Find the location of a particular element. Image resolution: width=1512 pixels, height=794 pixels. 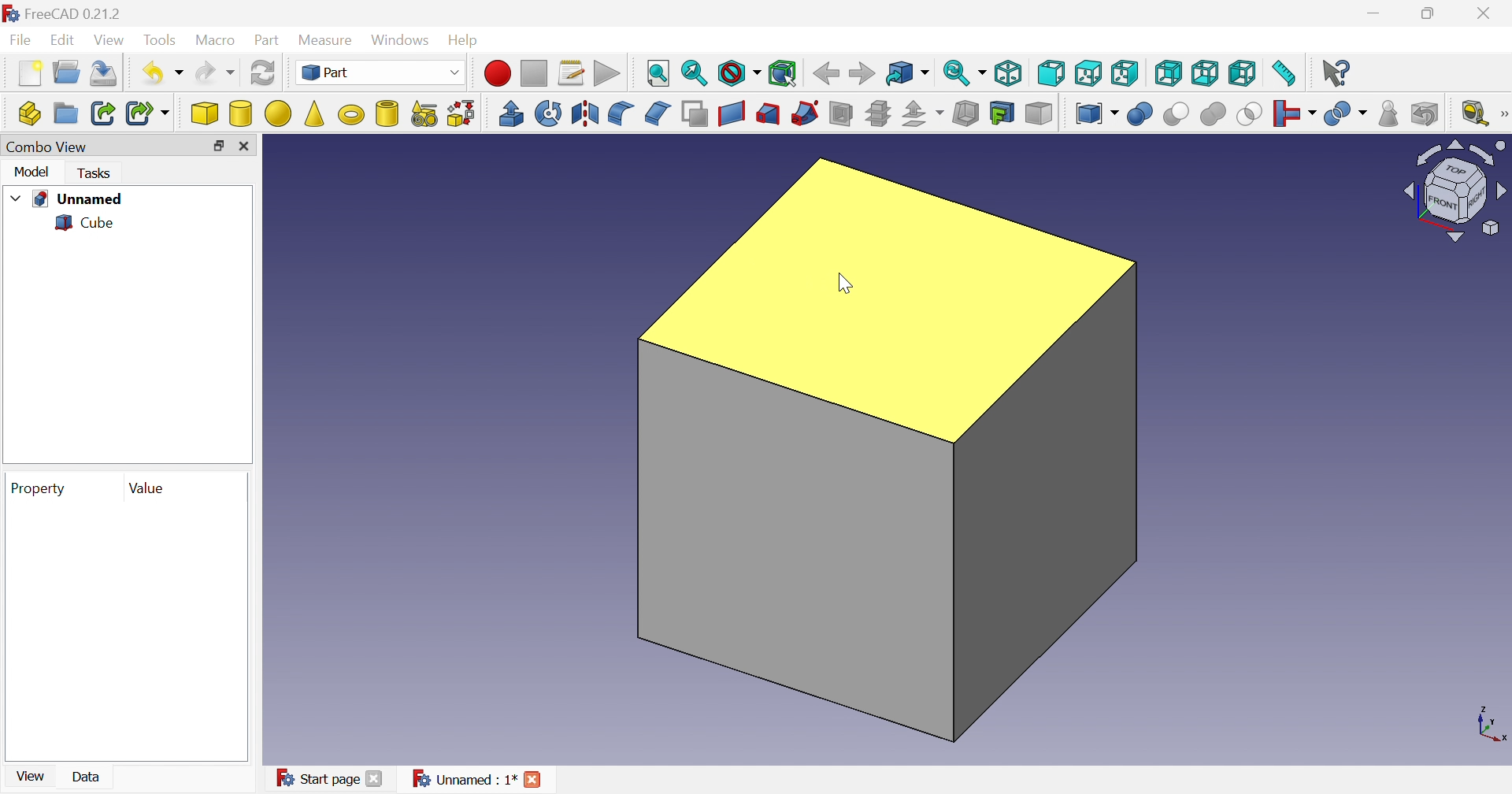

Viewing angle is located at coordinates (1451, 191).